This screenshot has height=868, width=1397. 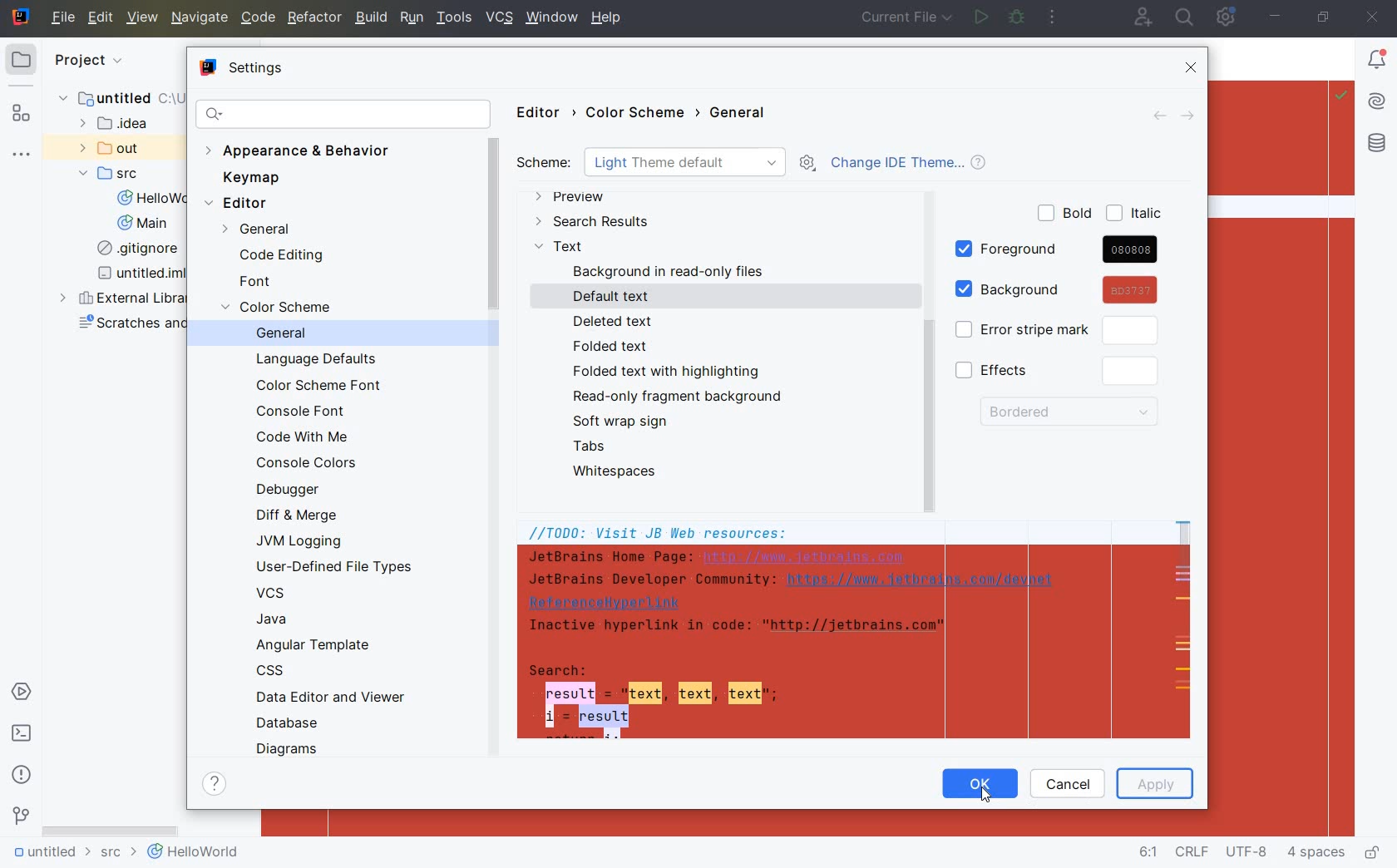 What do you see at coordinates (305, 440) in the screenshot?
I see `CODE WITH ME` at bounding box center [305, 440].